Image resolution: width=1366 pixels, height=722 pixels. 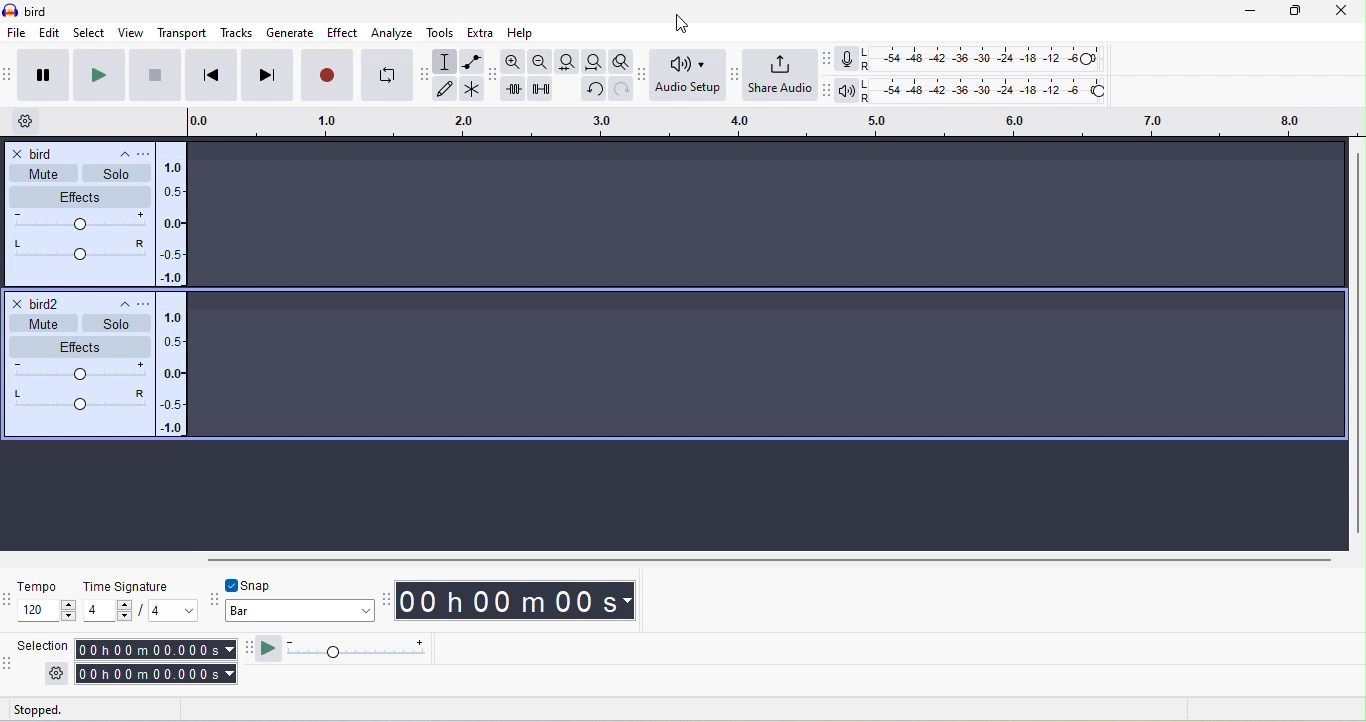 What do you see at coordinates (77, 248) in the screenshot?
I see `pan: center` at bounding box center [77, 248].